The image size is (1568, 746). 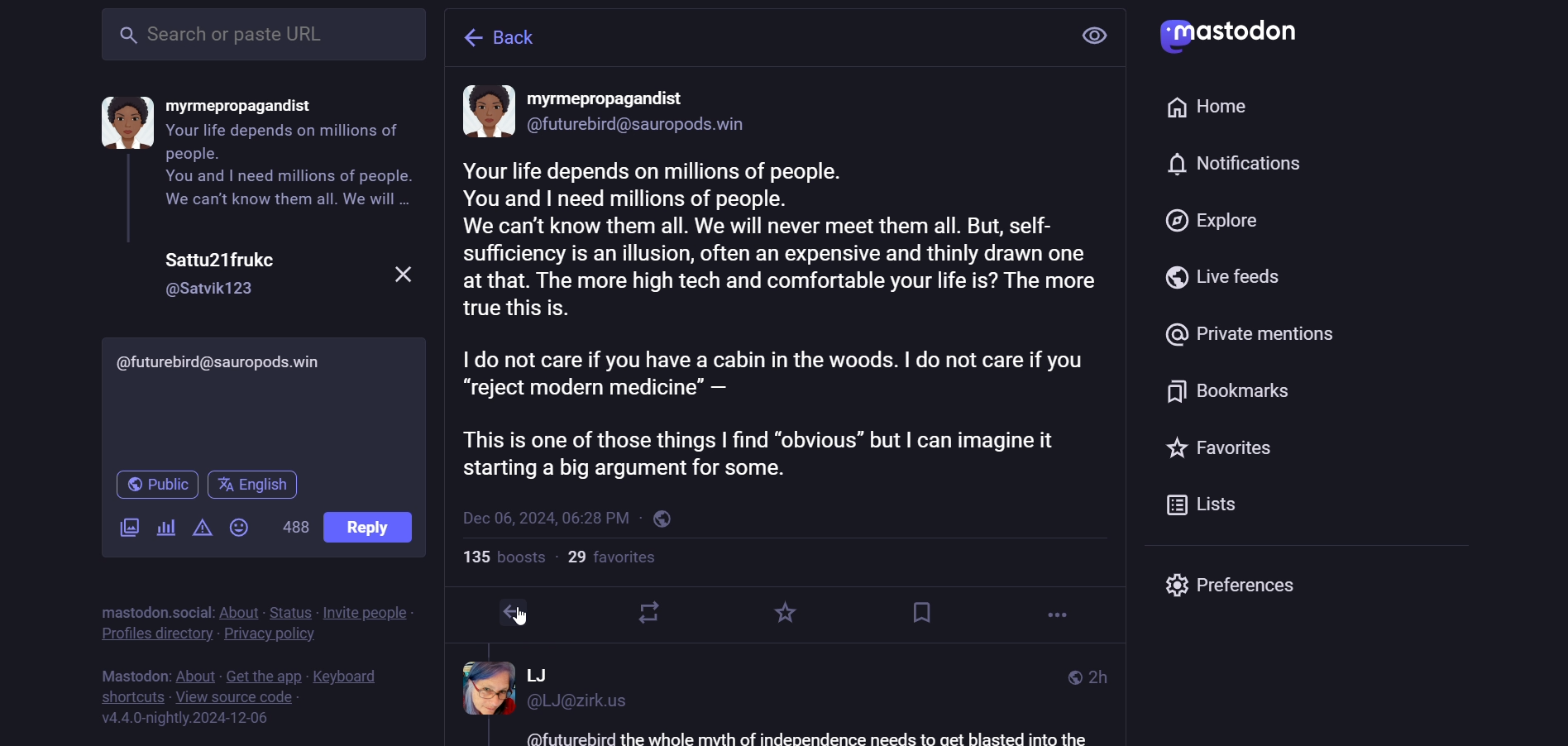 I want to click on id, so click(x=586, y=706).